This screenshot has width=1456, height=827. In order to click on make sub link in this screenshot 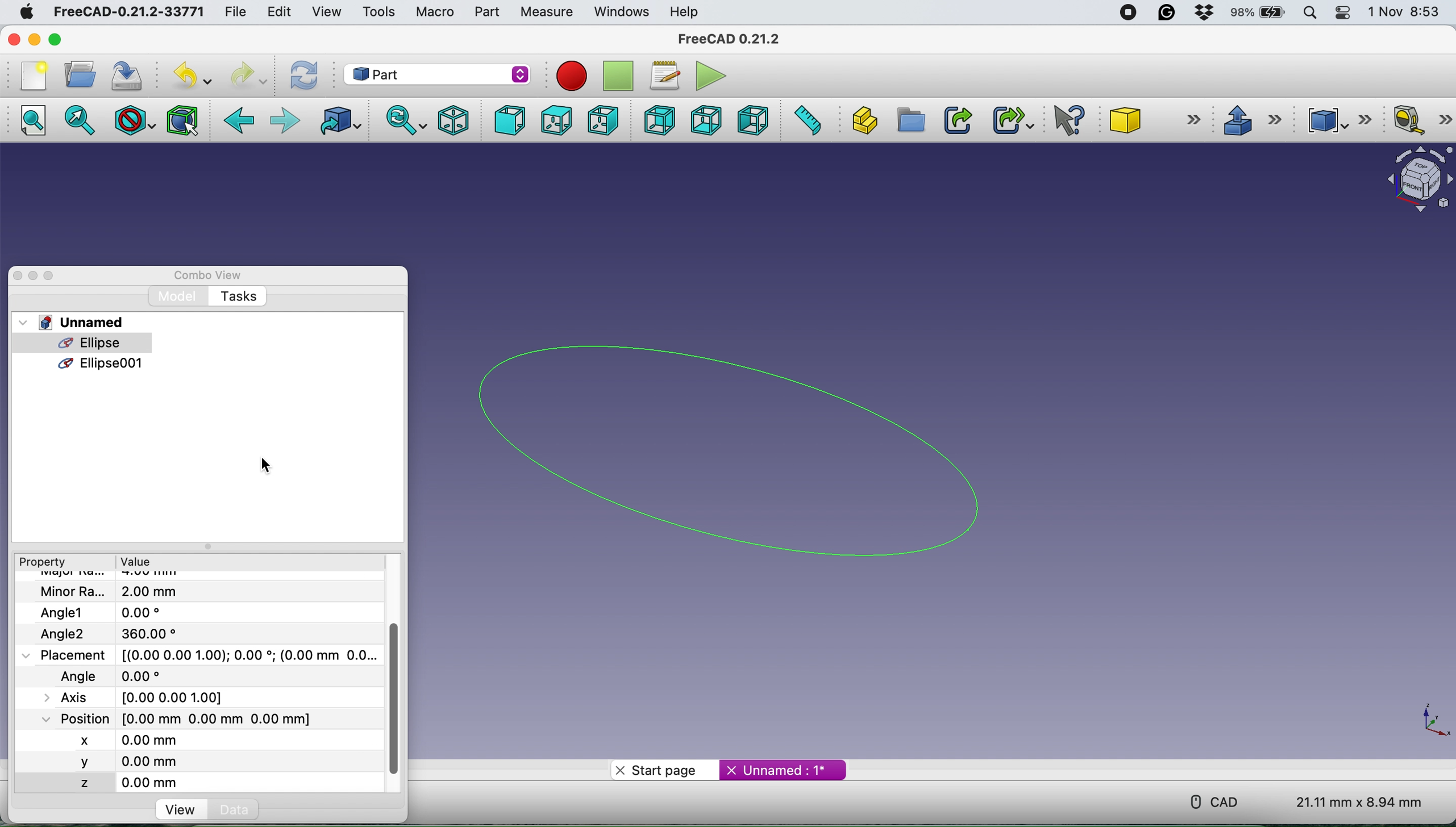, I will do `click(1009, 121)`.